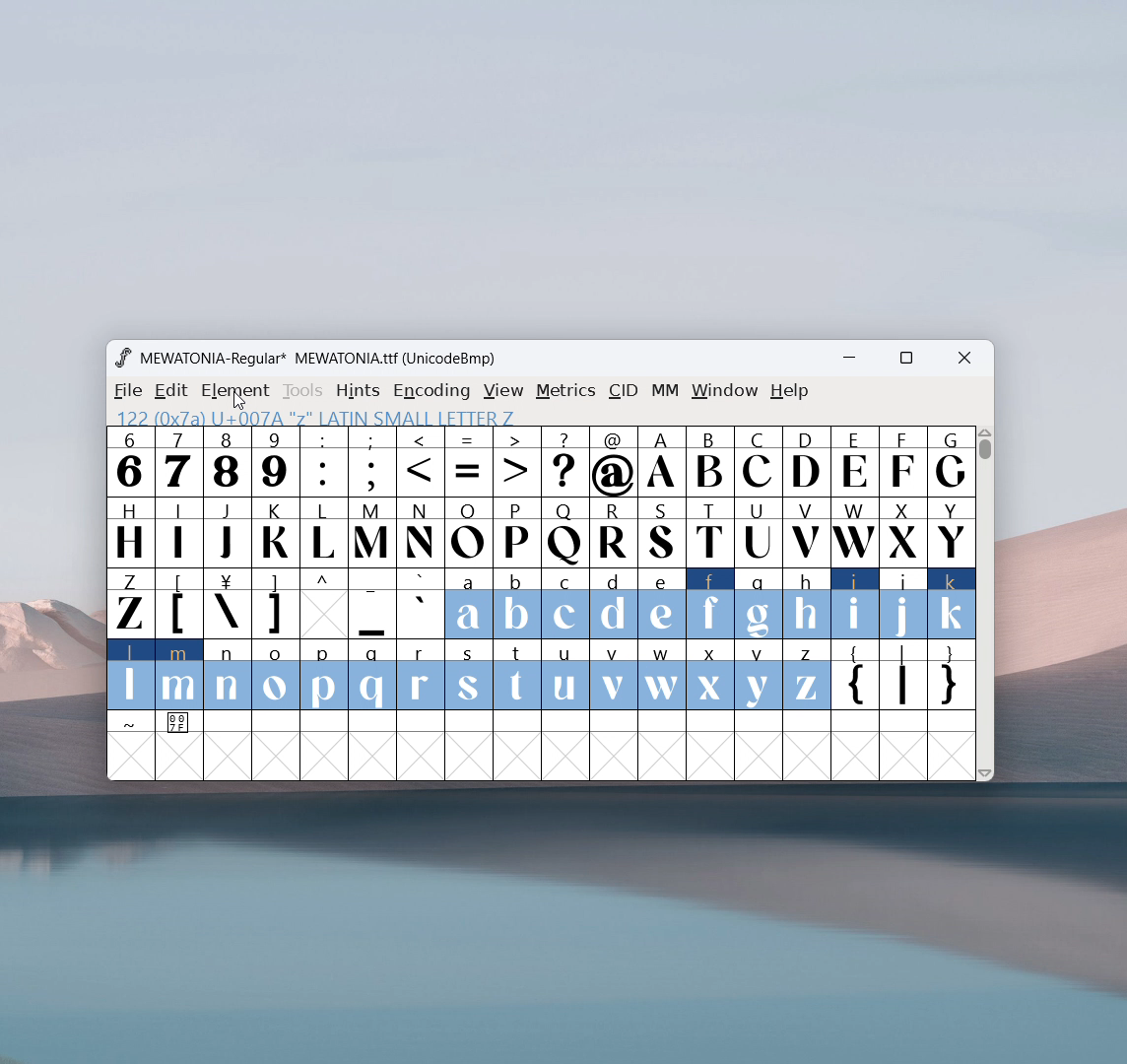  I want to click on V, so click(805, 531).